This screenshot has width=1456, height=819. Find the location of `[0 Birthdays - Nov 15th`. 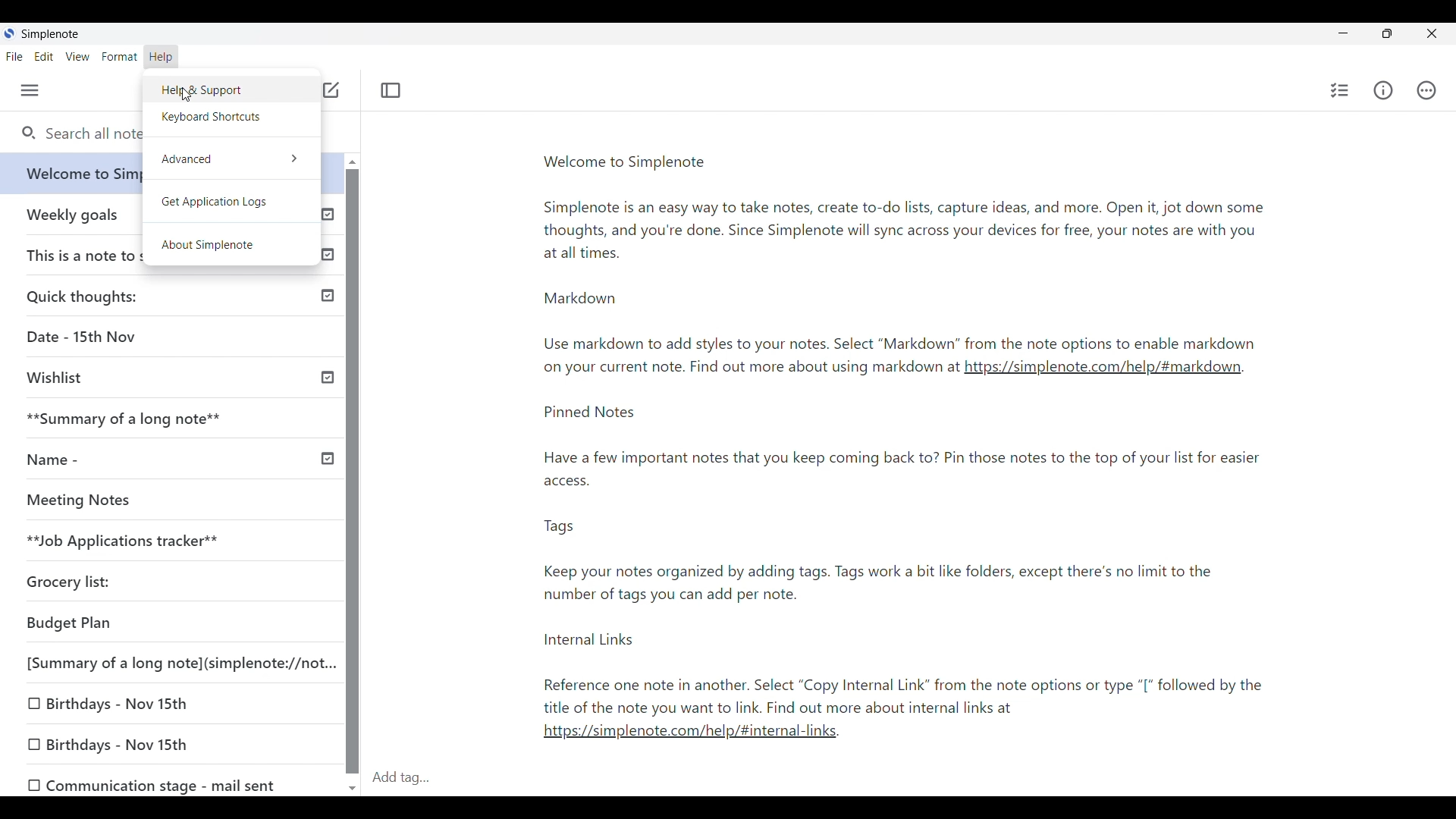

[0 Birthdays - Nov 15th is located at coordinates (102, 745).